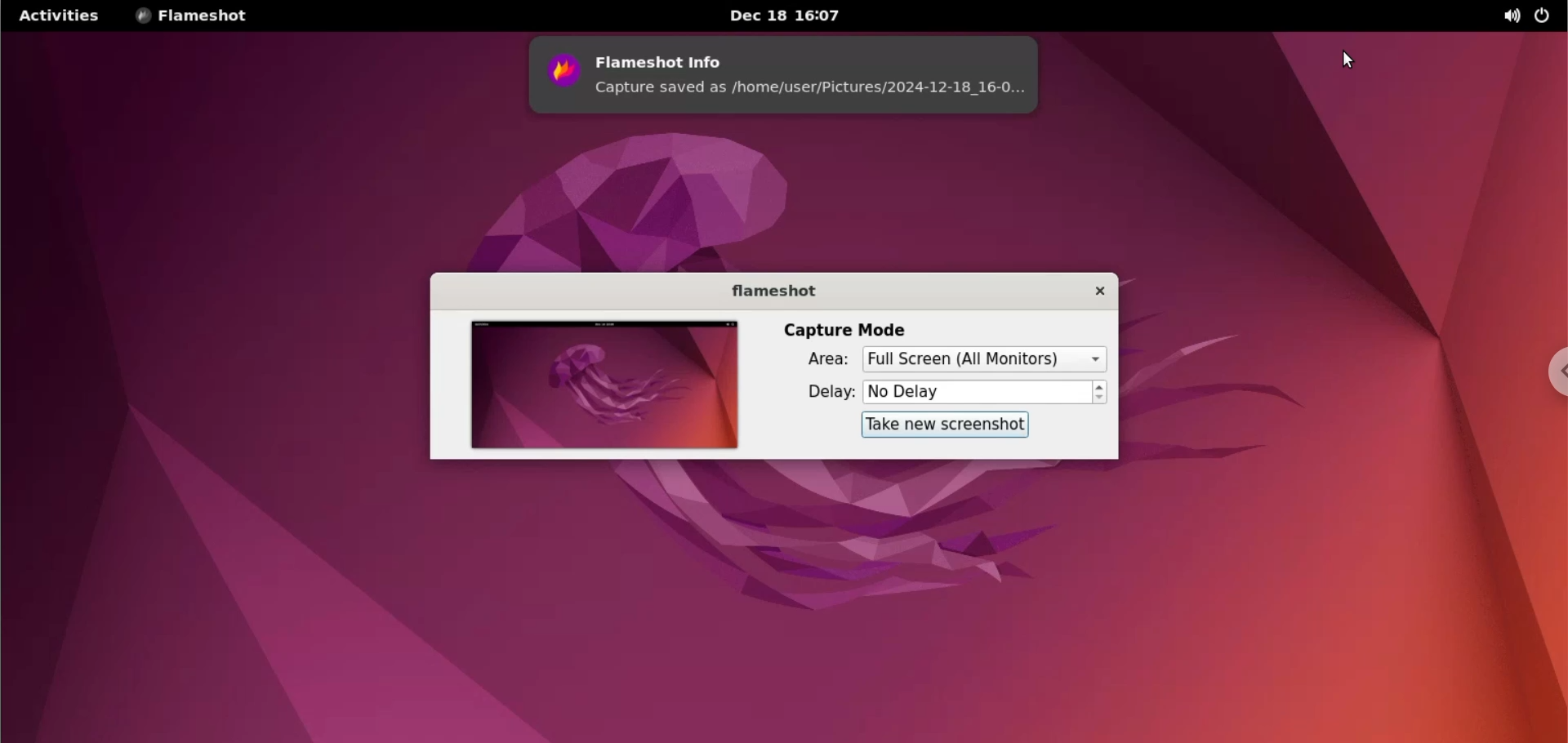 The image size is (1568, 743). What do you see at coordinates (204, 16) in the screenshot?
I see `flameshot menu` at bounding box center [204, 16].